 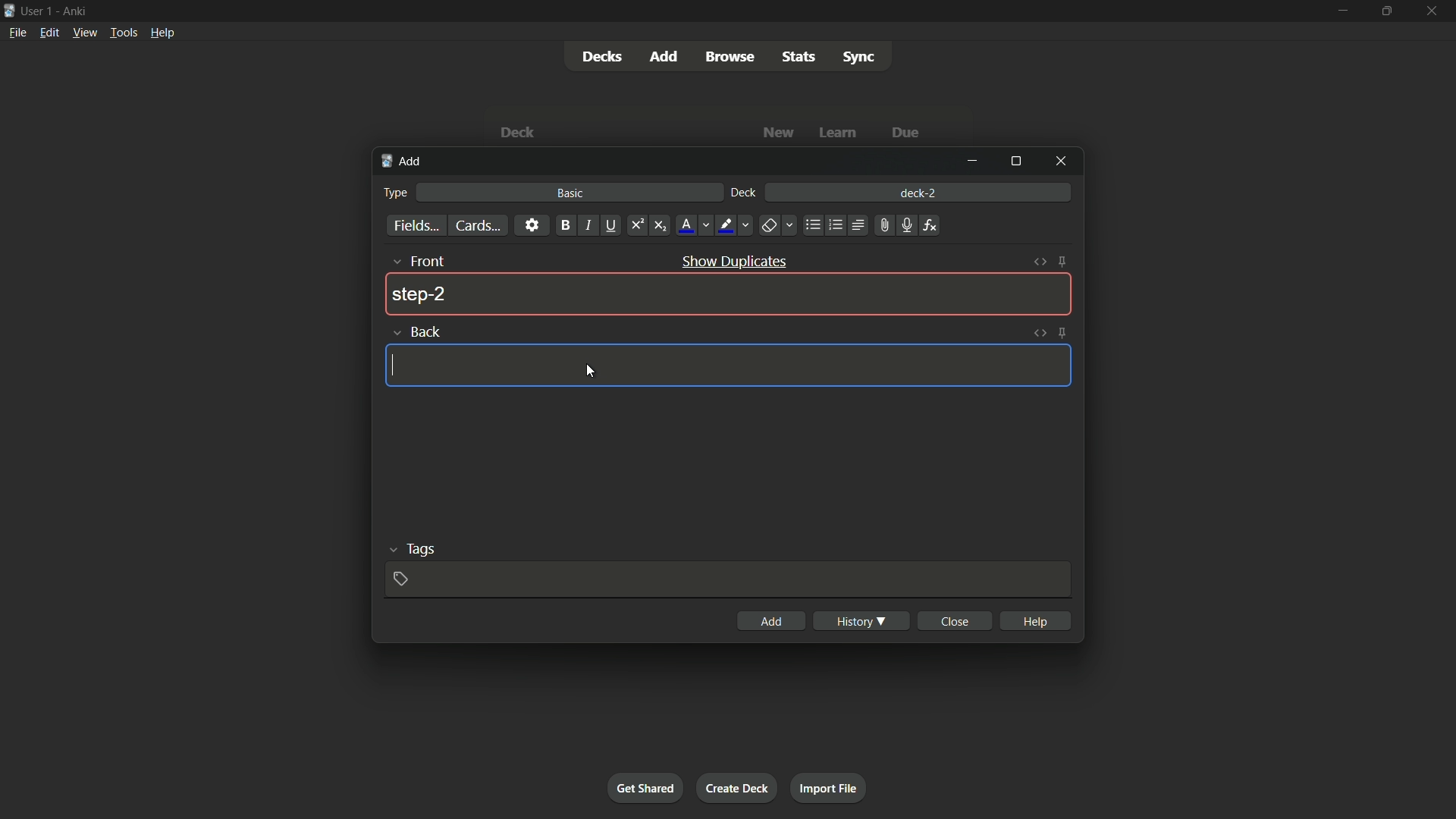 I want to click on record audio, so click(x=905, y=225).